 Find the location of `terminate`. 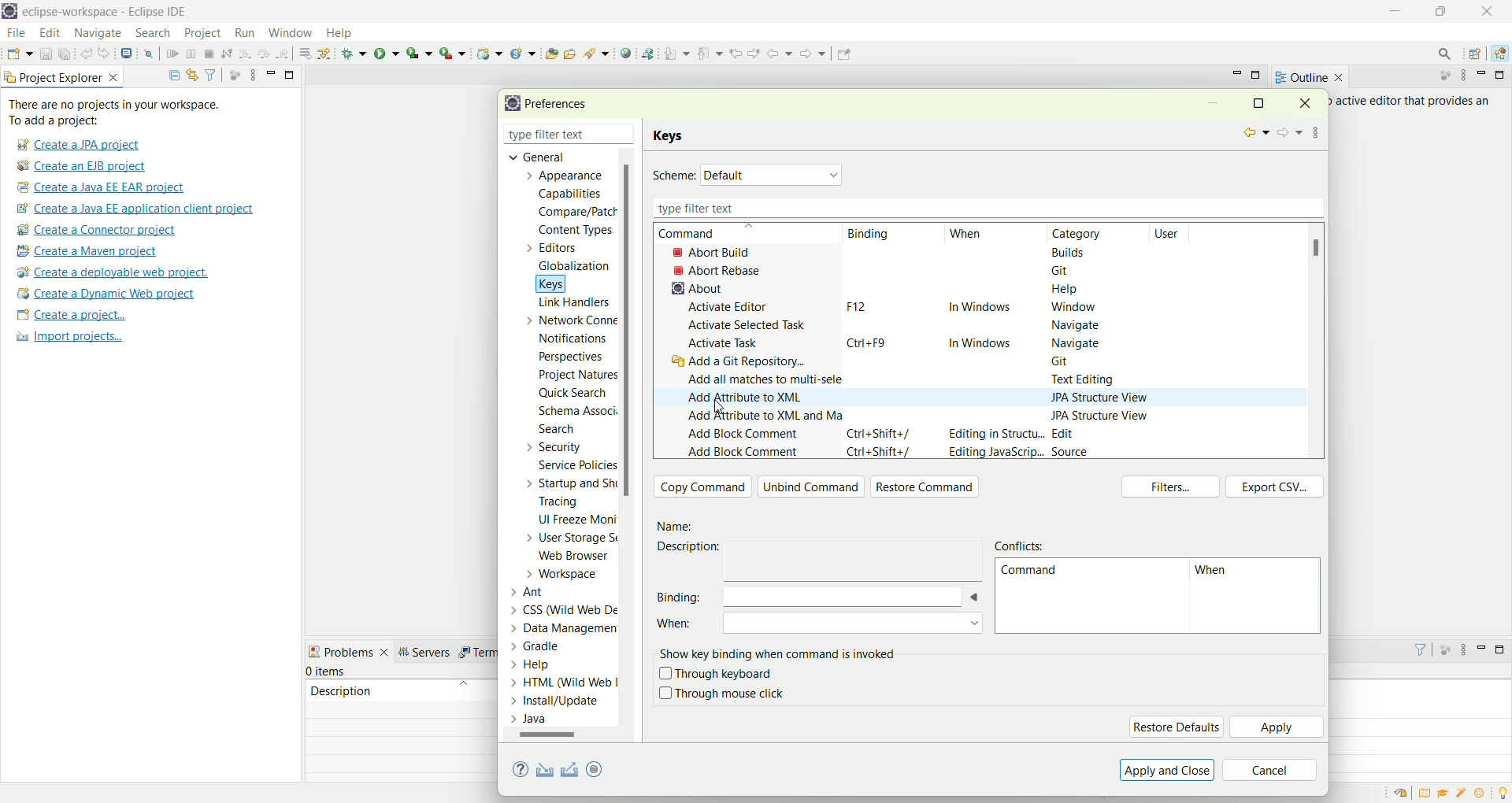

terminate is located at coordinates (209, 55).